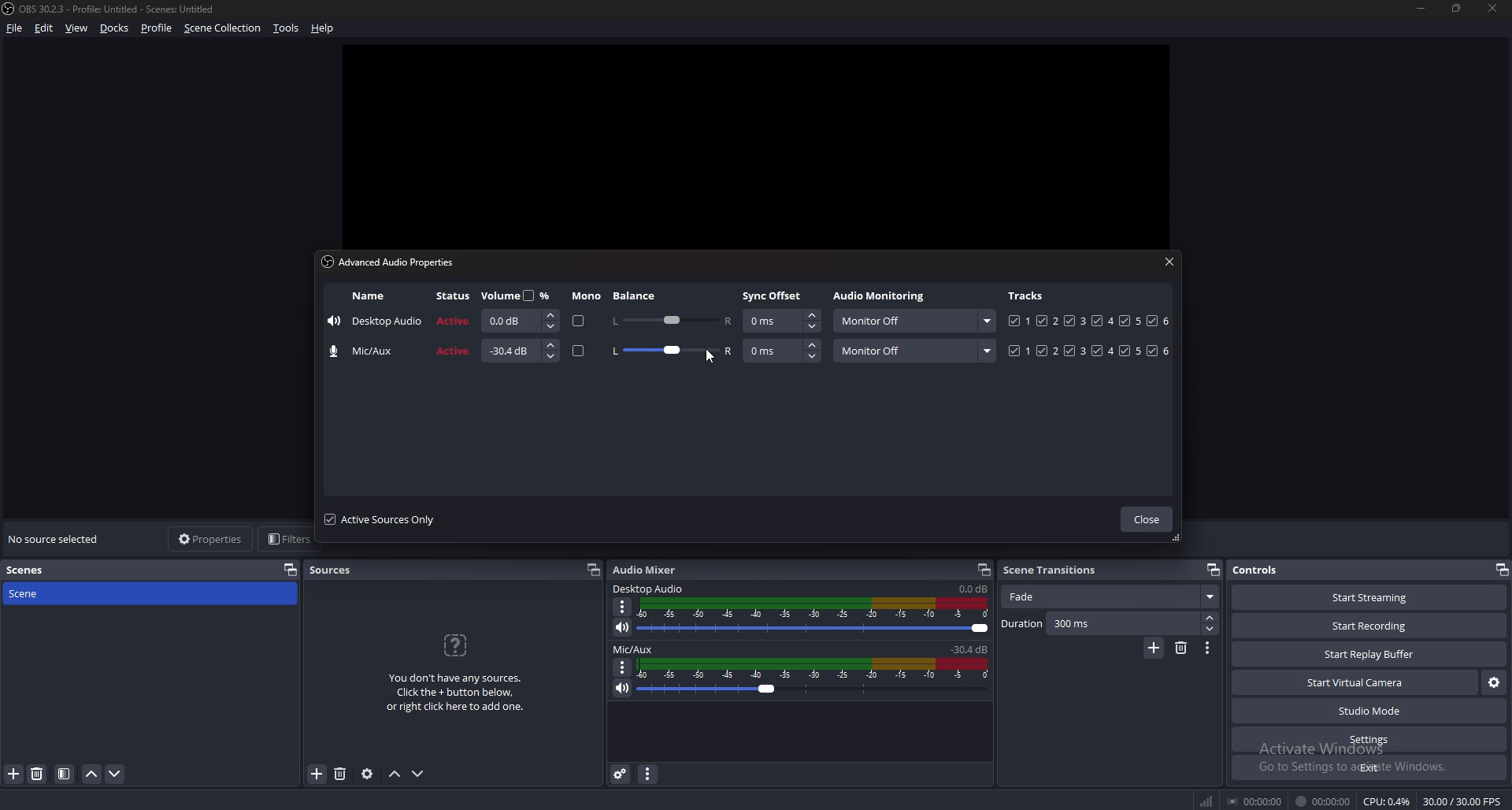 Image resolution: width=1512 pixels, height=810 pixels. Describe the element at coordinates (623, 667) in the screenshot. I see `options` at that location.